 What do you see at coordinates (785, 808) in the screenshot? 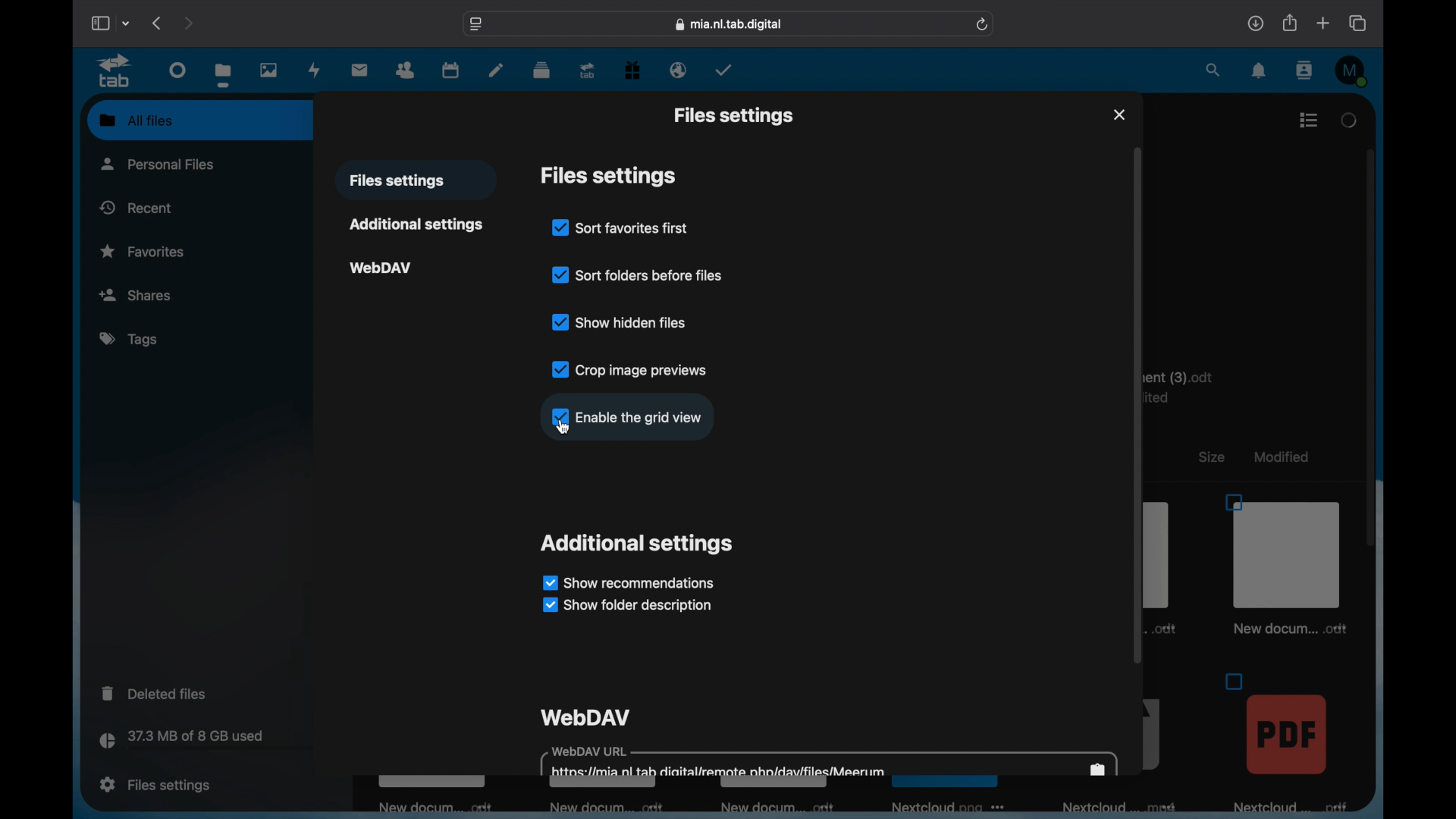
I see `new document` at bounding box center [785, 808].